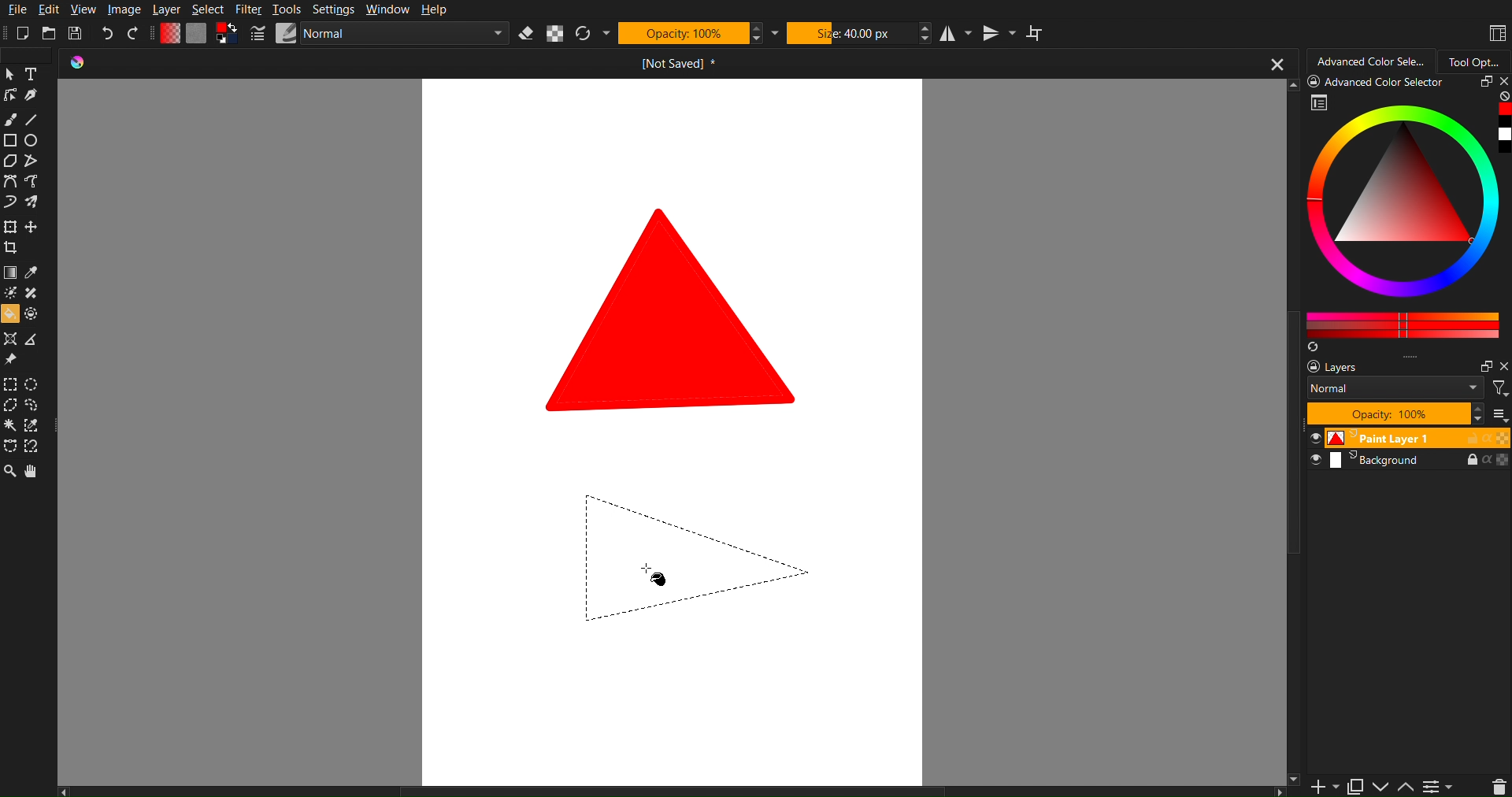 This screenshot has width=1512, height=797. I want to click on Cursor, so click(9, 407).